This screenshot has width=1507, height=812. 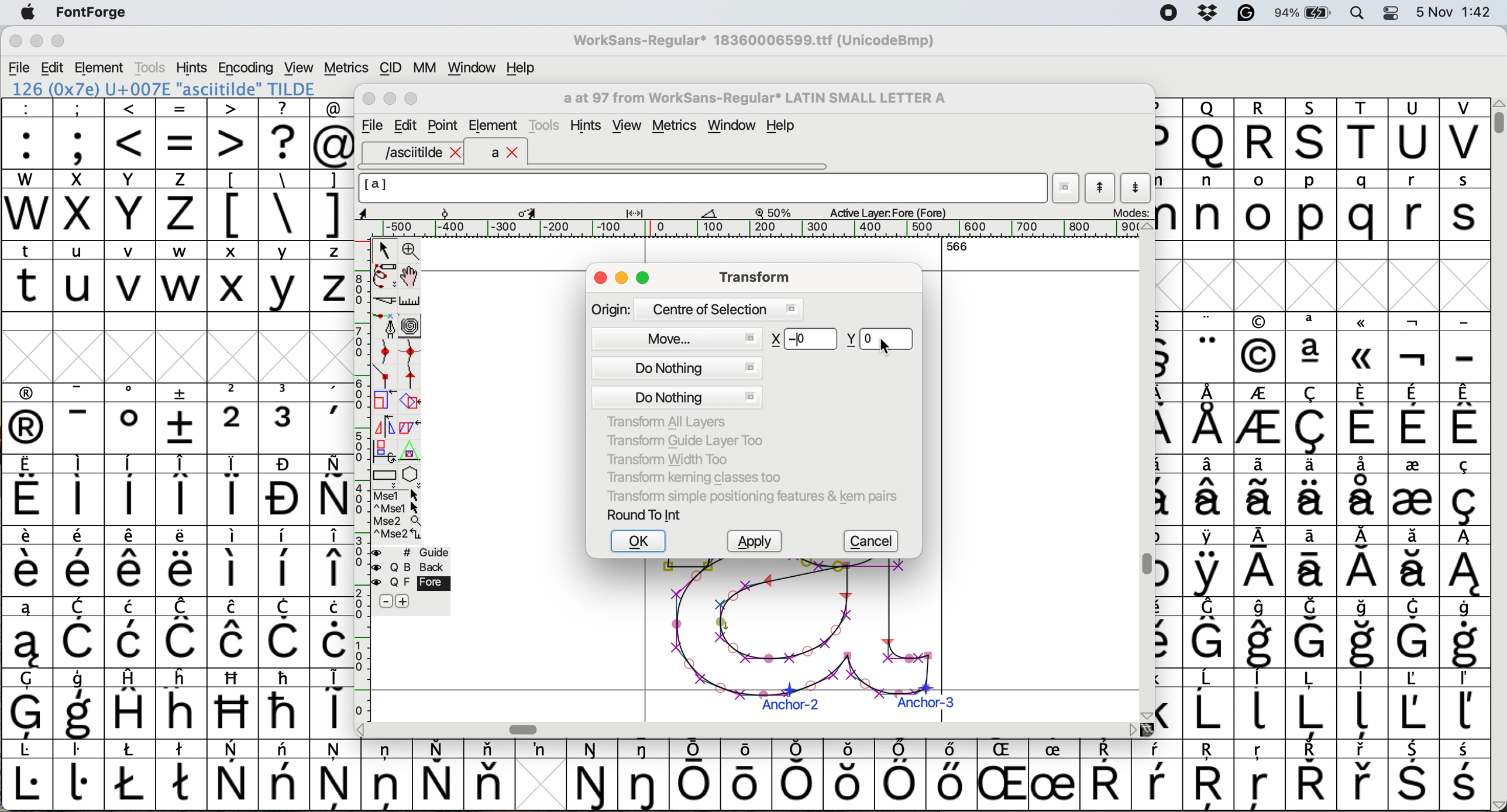 I want to click on symbol, so click(x=284, y=562).